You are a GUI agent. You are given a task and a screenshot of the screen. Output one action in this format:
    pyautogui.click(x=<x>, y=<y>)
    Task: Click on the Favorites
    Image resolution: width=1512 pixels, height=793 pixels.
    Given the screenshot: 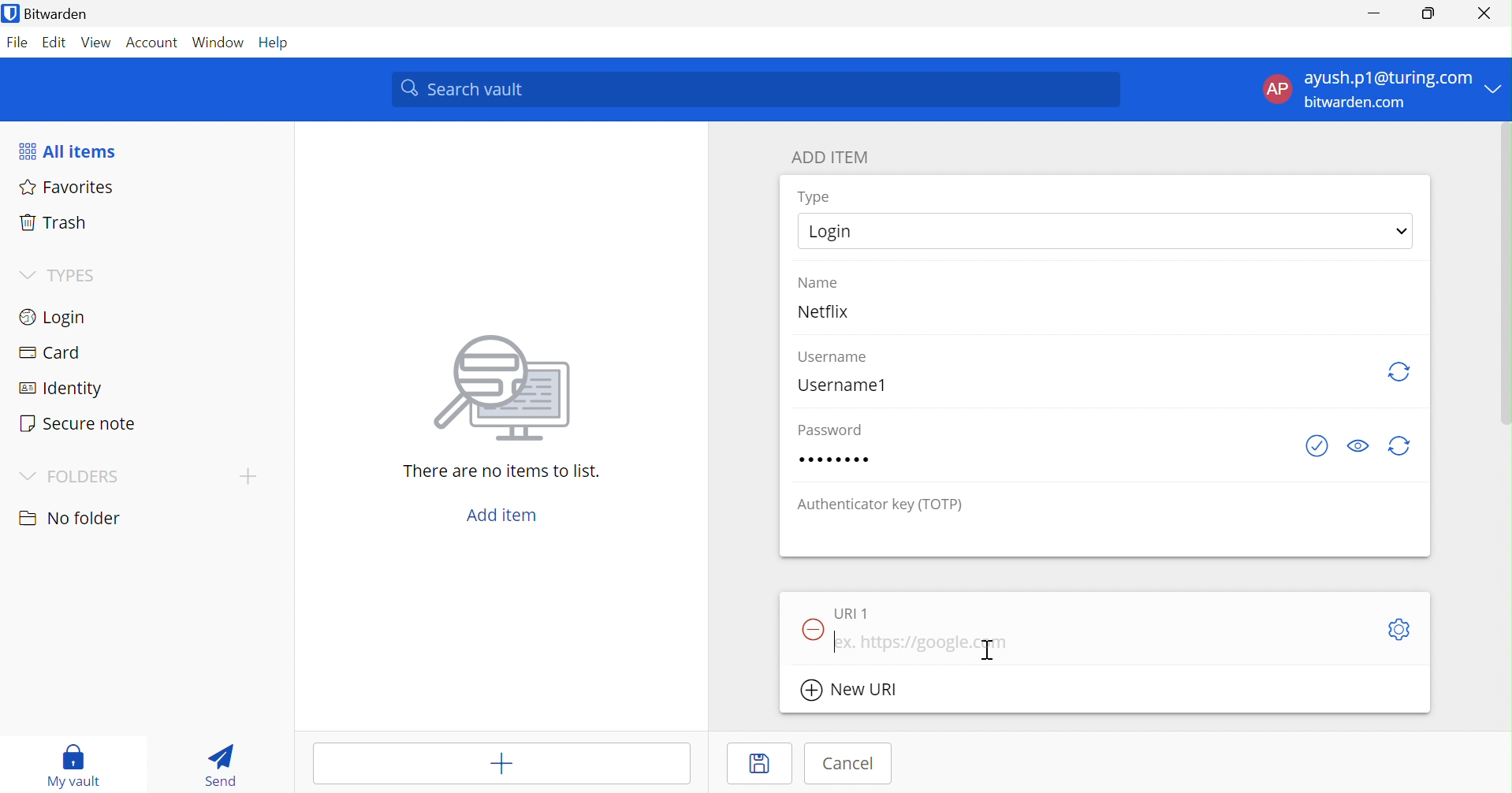 What is the action you would take?
    pyautogui.click(x=67, y=187)
    